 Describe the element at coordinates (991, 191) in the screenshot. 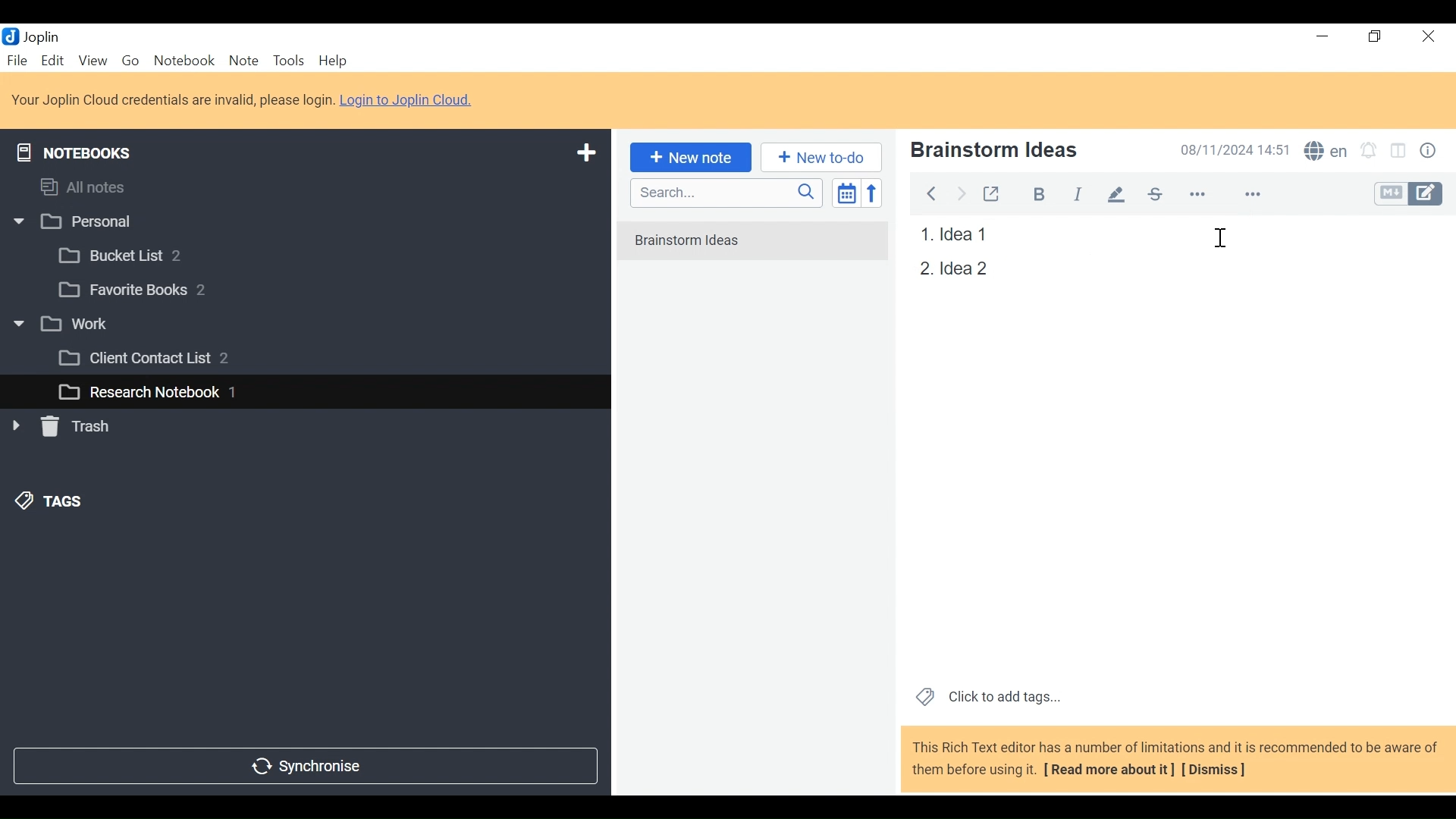

I see `Toggle external editing` at that location.